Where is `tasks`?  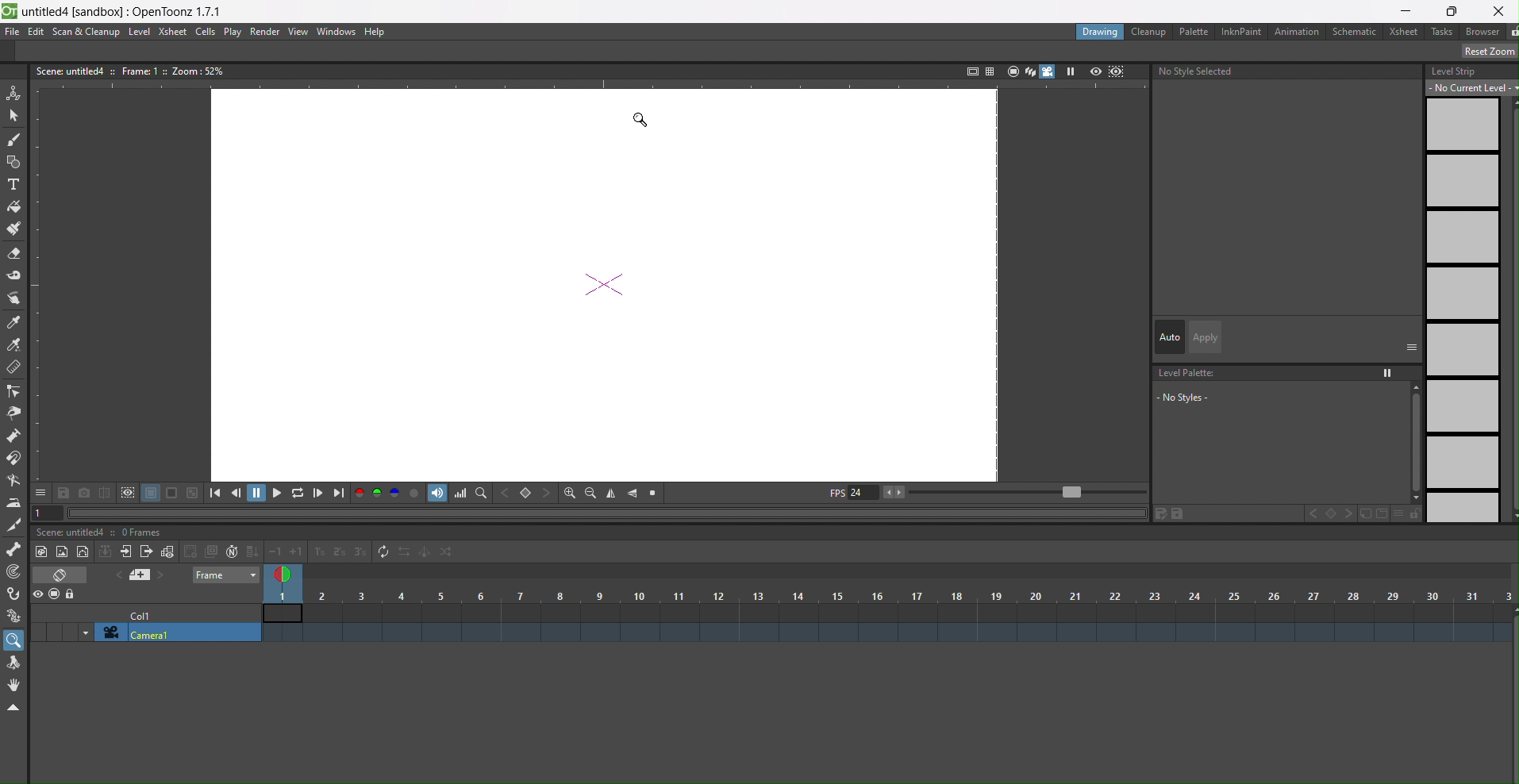 tasks is located at coordinates (1444, 33).